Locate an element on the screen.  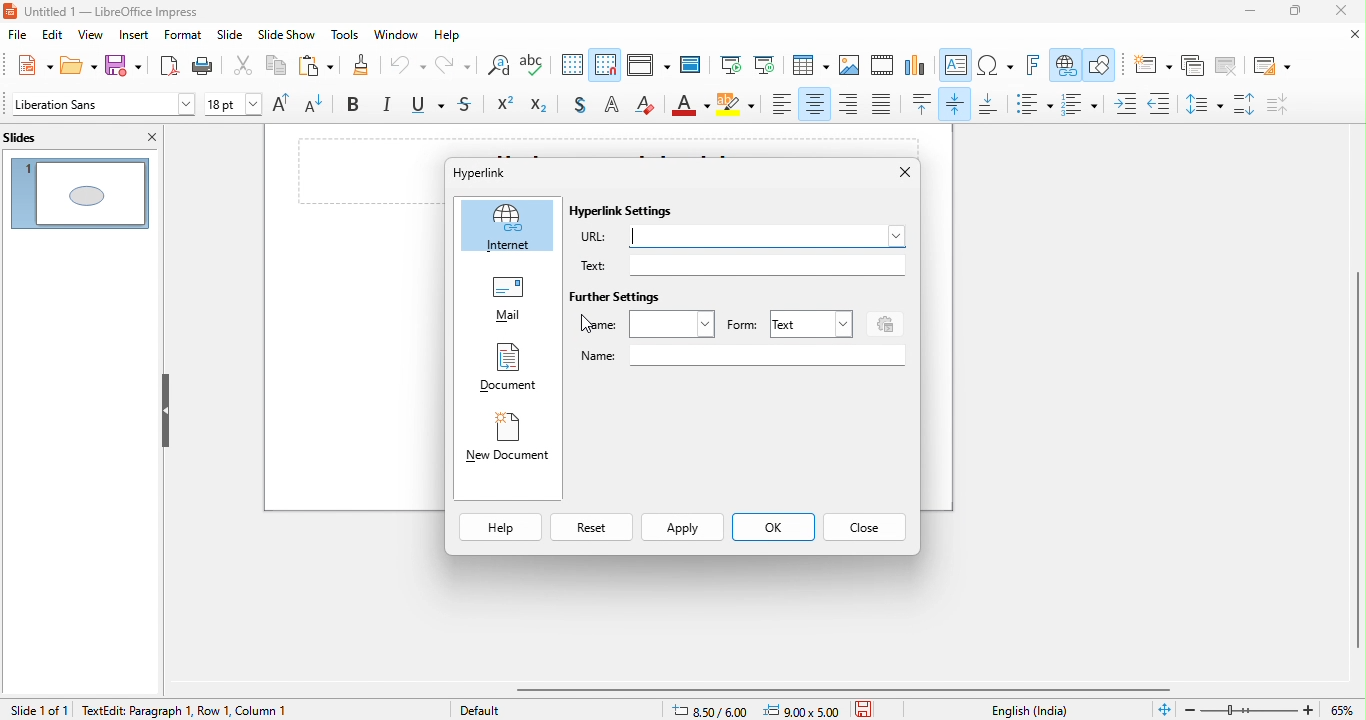
edit is located at coordinates (54, 36).